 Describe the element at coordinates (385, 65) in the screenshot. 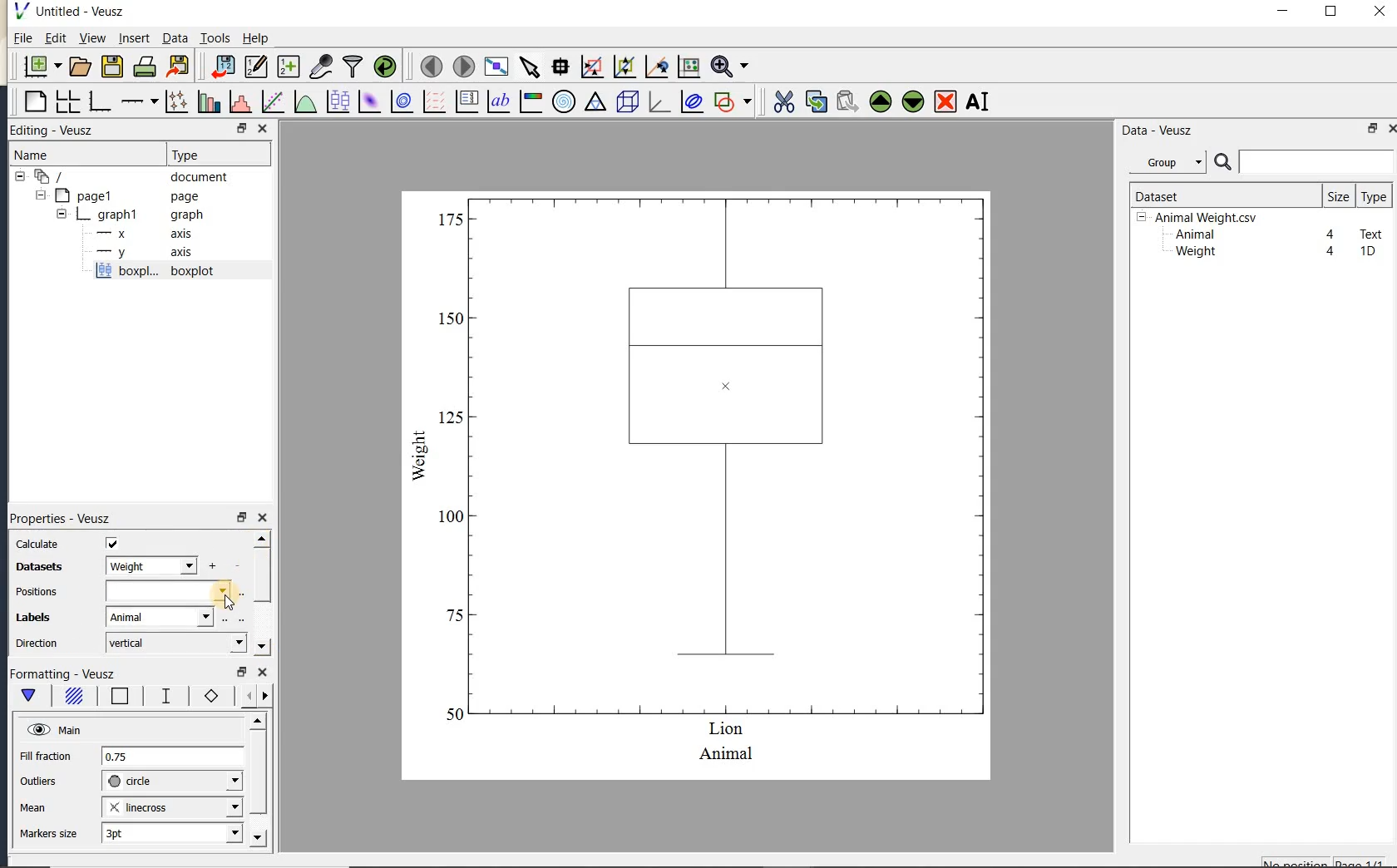

I see `reload linked datasets` at that location.